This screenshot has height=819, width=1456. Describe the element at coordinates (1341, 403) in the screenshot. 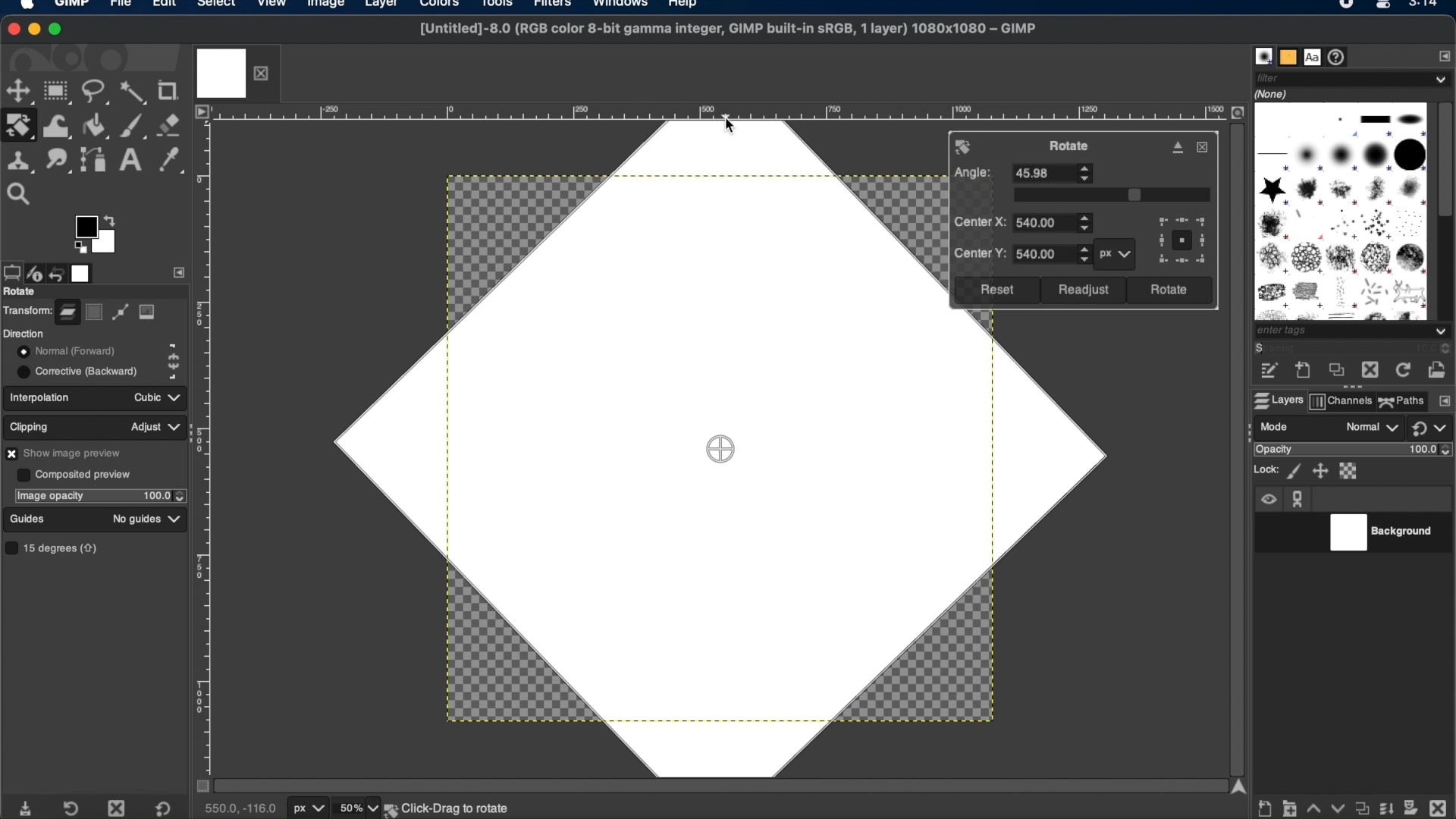

I see `channels` at that location.